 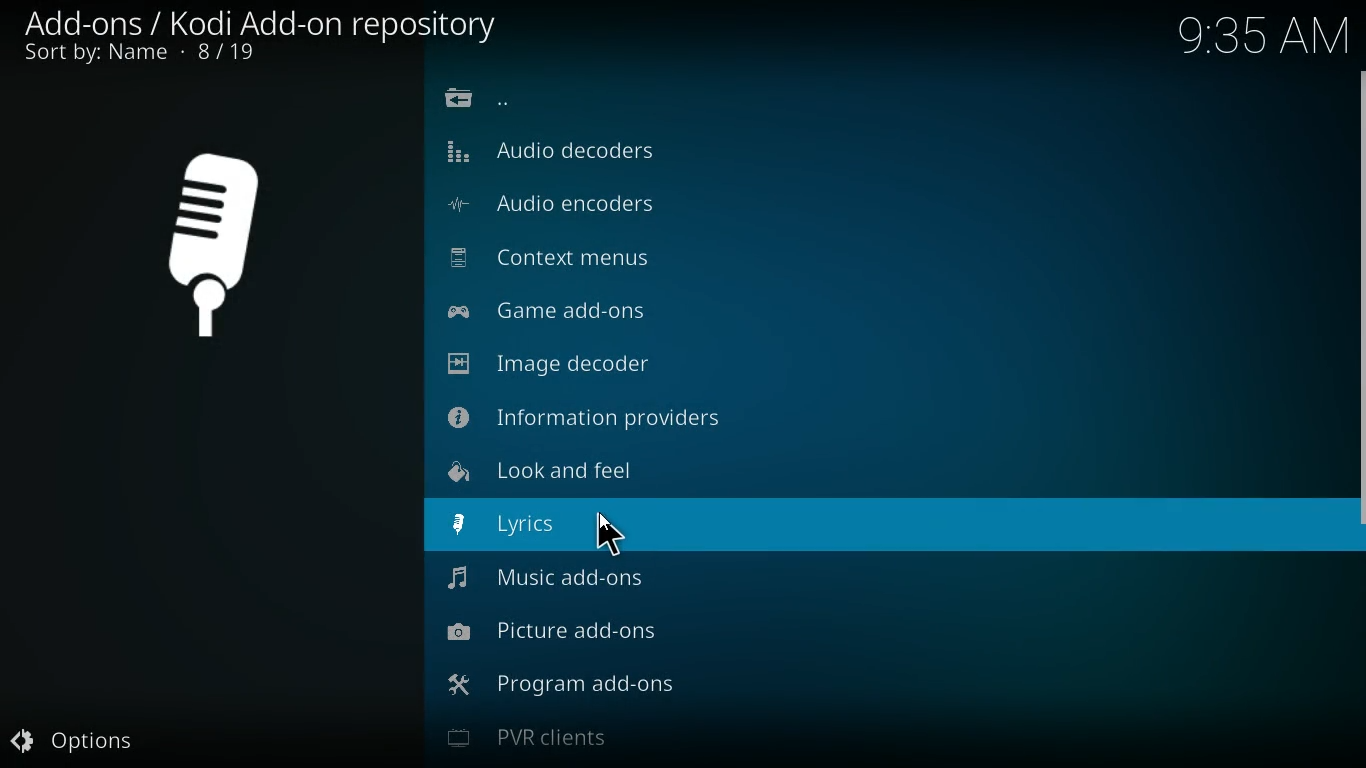 I want to click on music add-ons, so click(x=562, y=586).